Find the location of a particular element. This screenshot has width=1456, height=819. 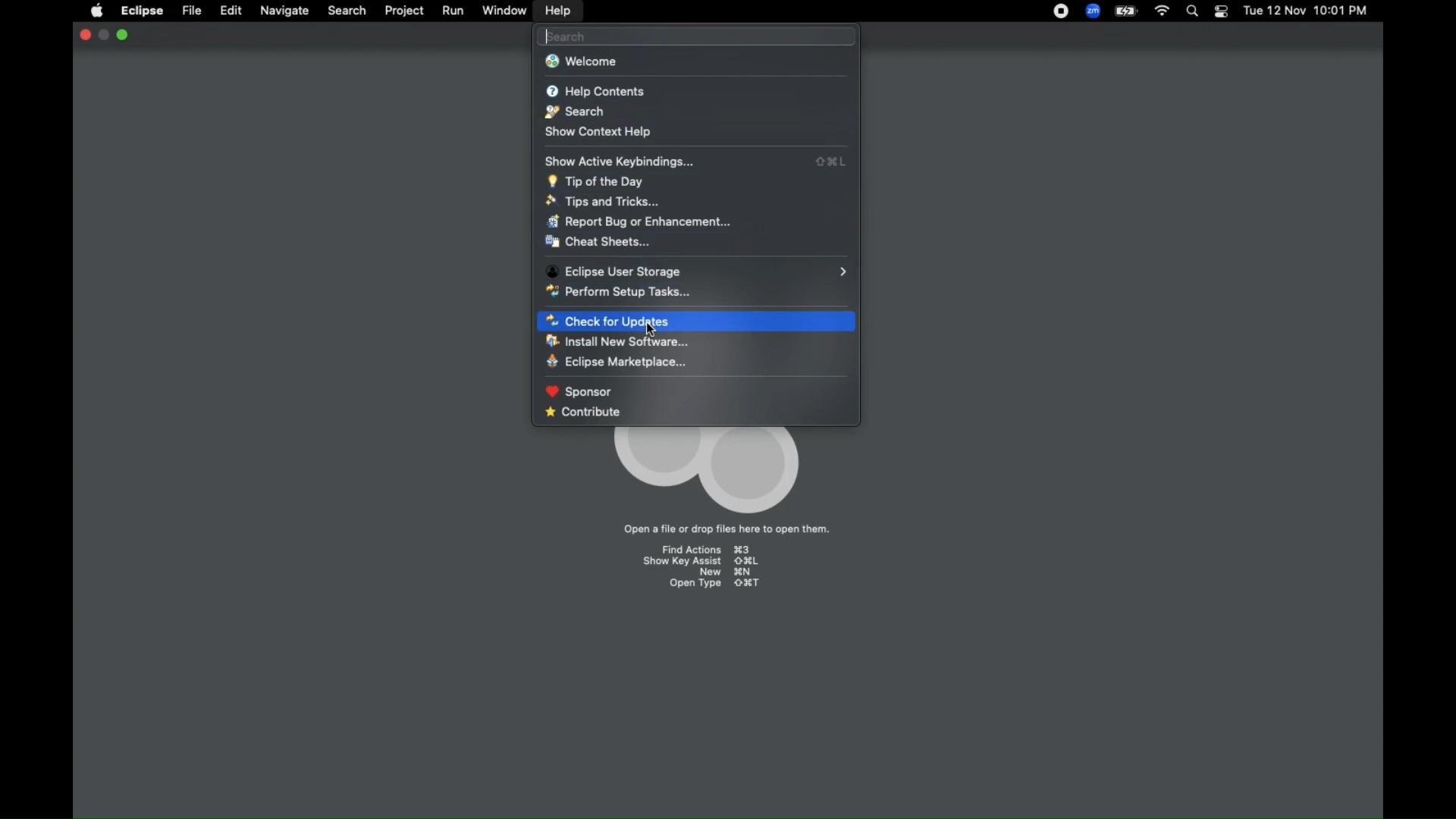

Charge is located at coordinates (1126, 11).